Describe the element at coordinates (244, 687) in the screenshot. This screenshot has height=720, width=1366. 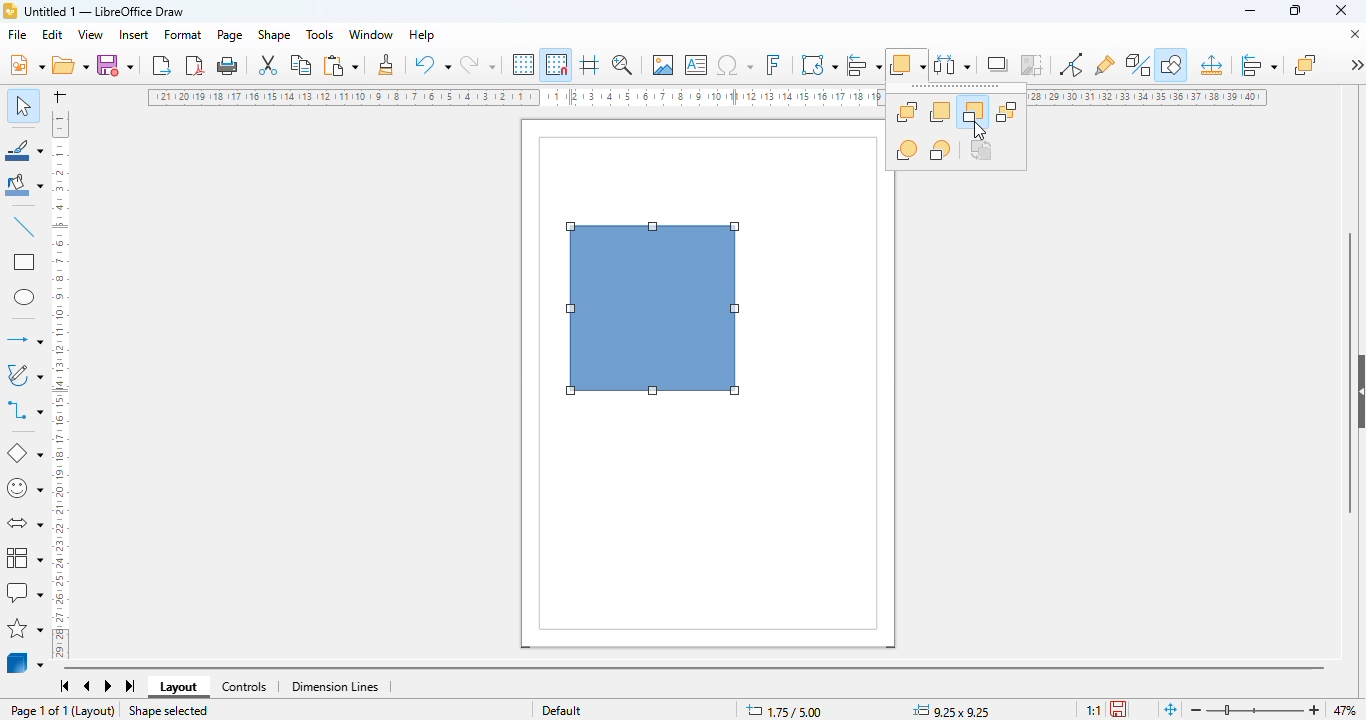
I see `controls` at that location.